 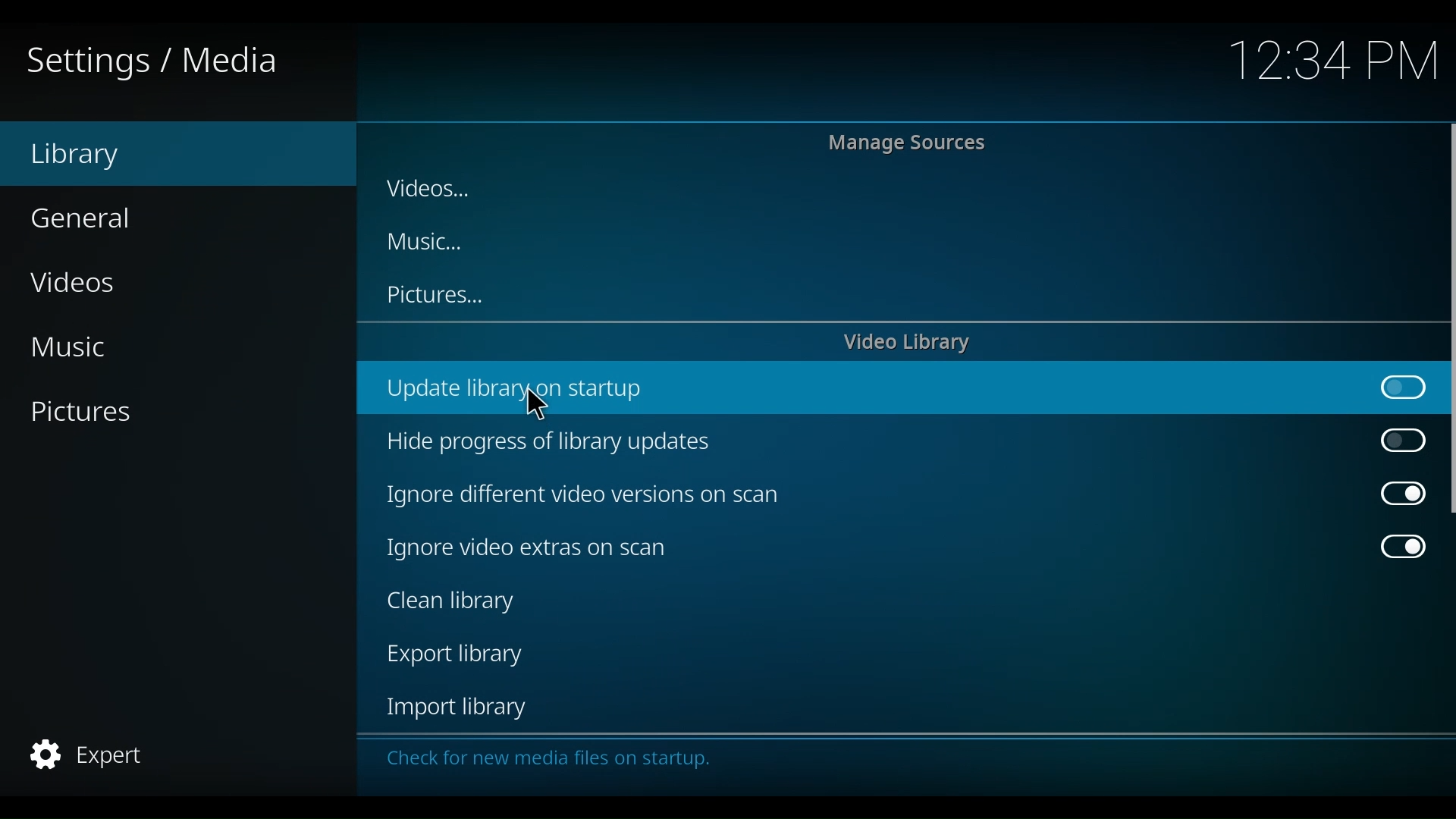 I want to click on Pictures, so click(x=86, y=414).